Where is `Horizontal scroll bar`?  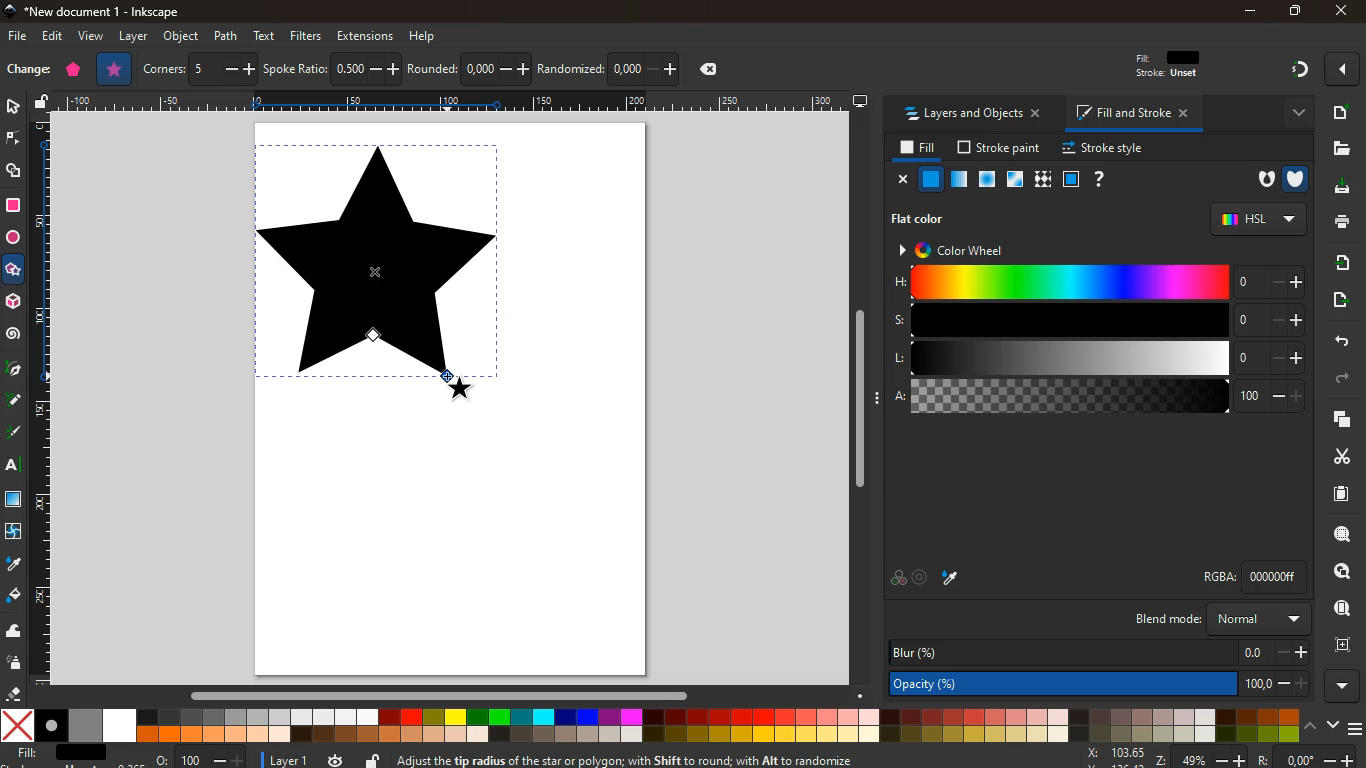
Horizontal scroll bar is located at coordinates (450, 699).